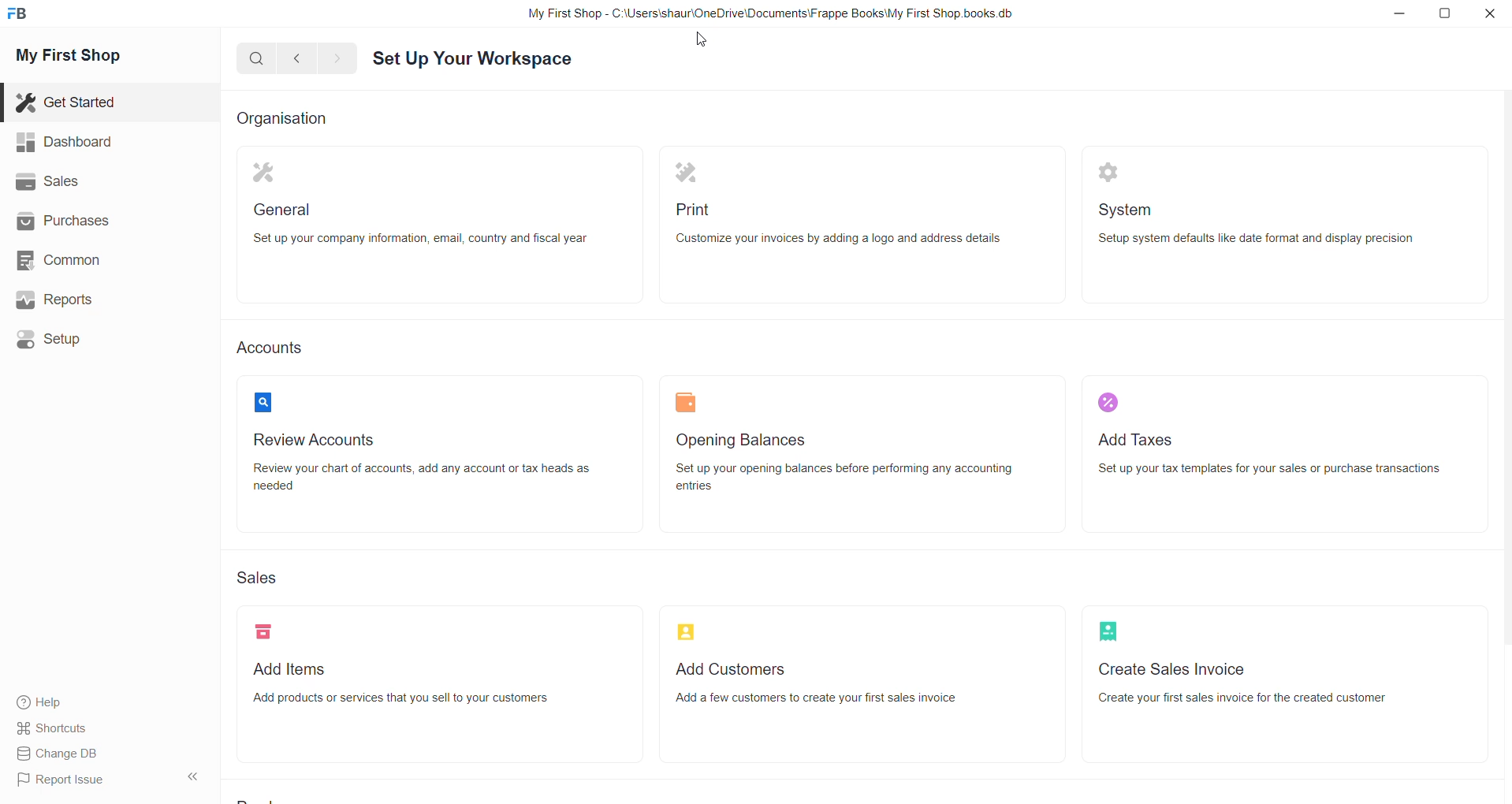  What do you see at coordinates (80, 58) in the screenshot?
I see `My First Shop ` at bounding box center [80, 58].